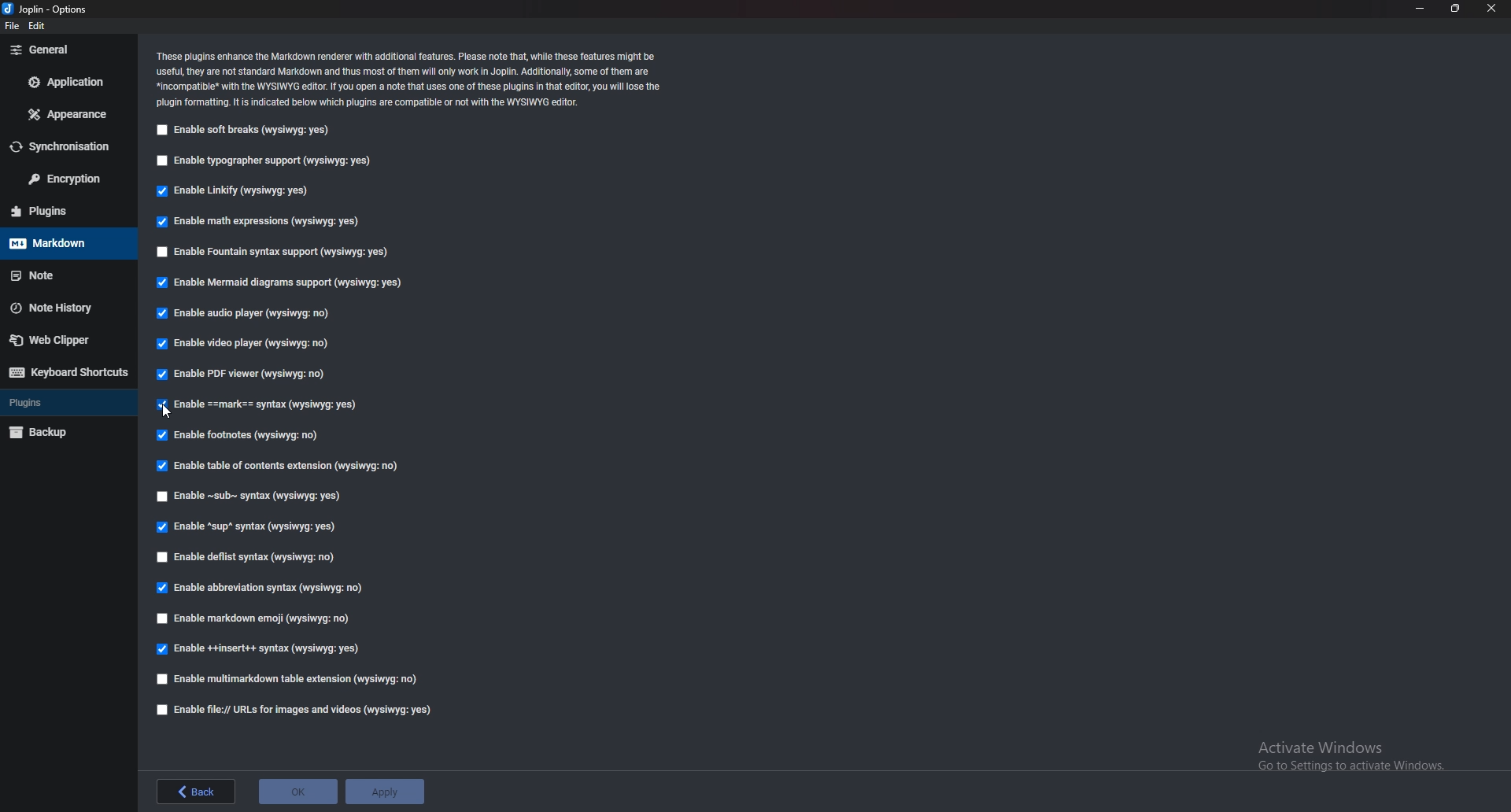 The height and width of the screenshot is (812, 1511). What do you see at coordinates (1493, 8) in the screenshot?
I see `close` at bounding box center [1493, 8].